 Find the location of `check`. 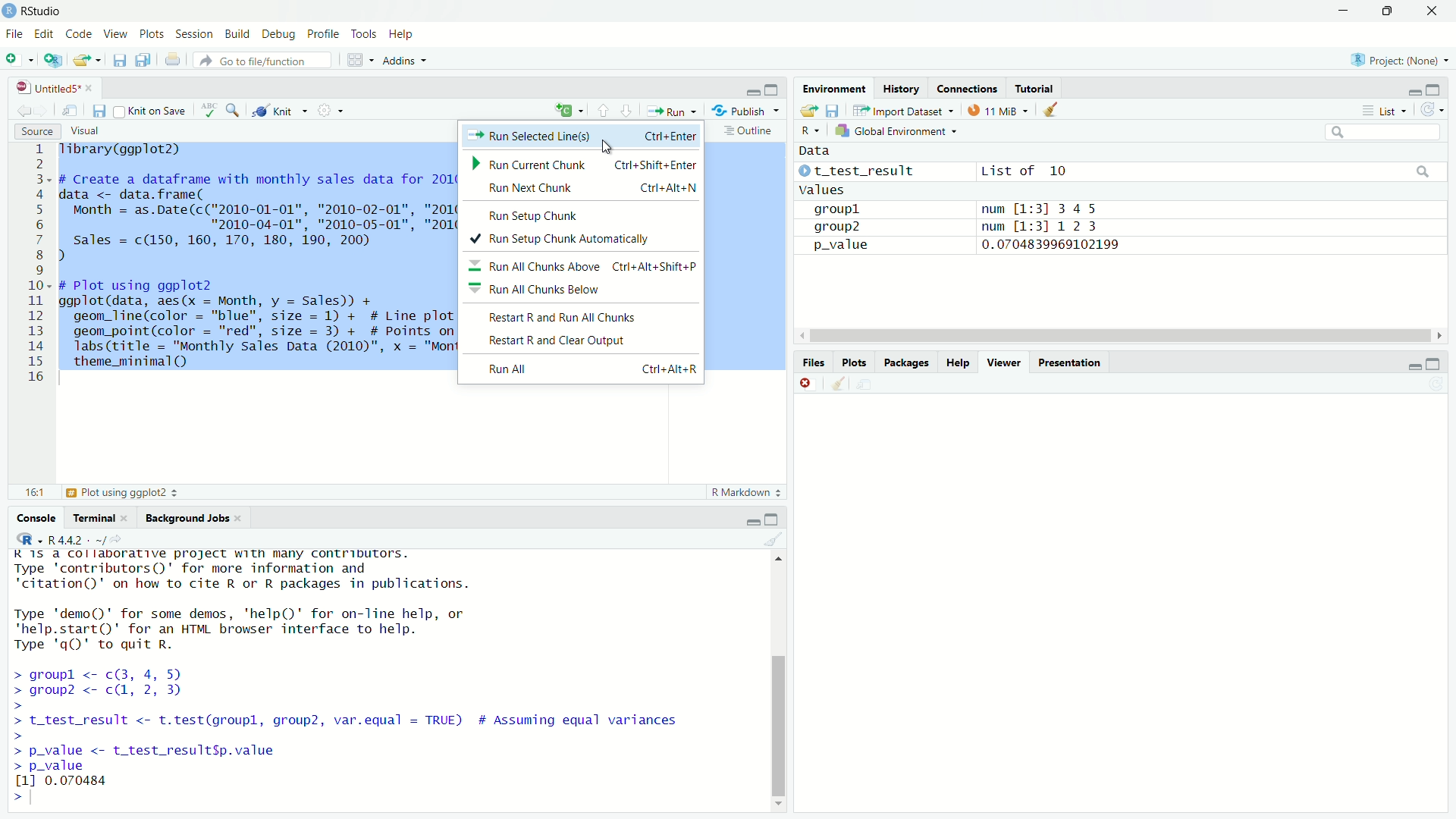

check is located at coordinates (207, 110).